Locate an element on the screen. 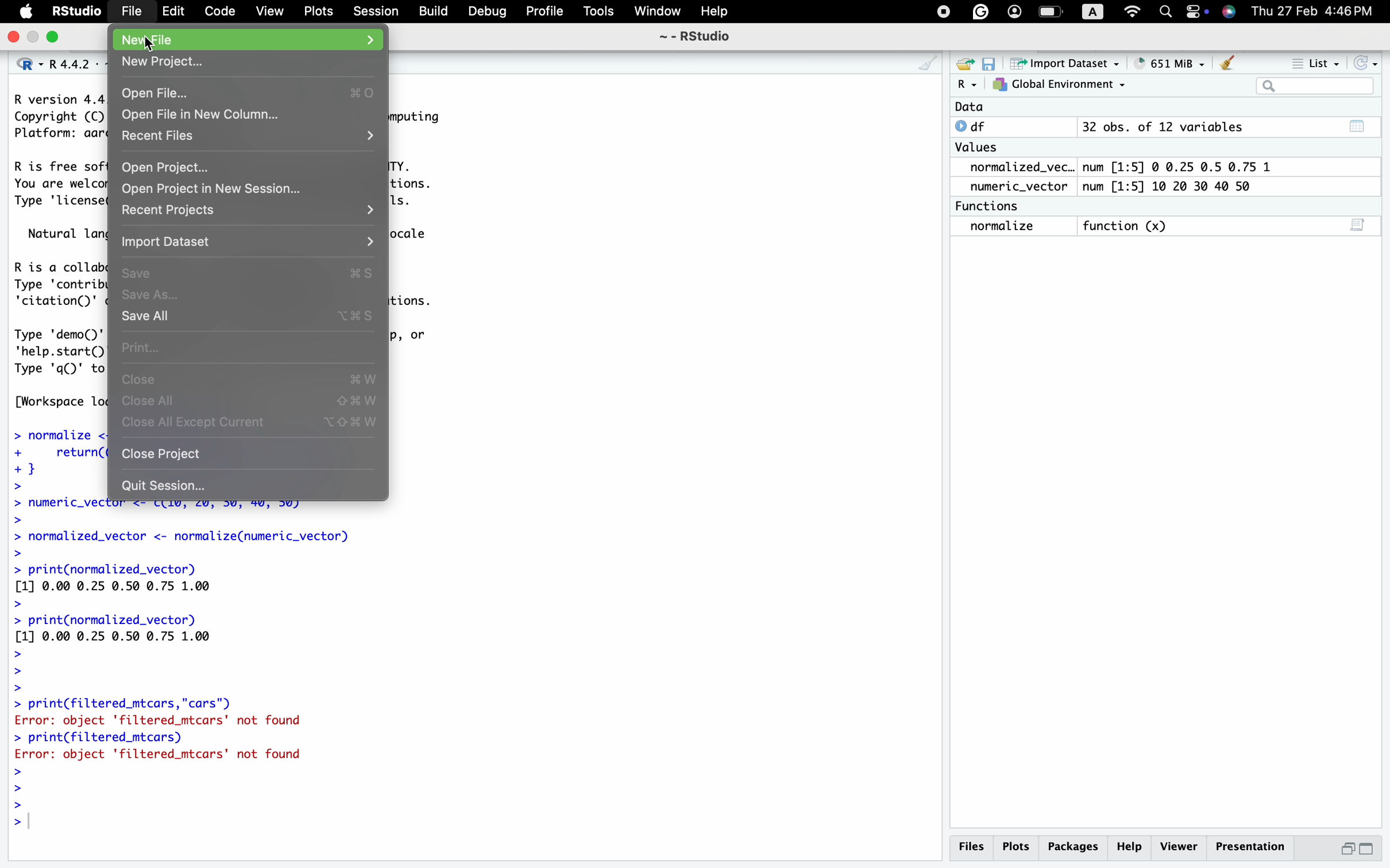  normalized_vec.. num [1:5] @ 0.25 0.5 0.75 1 is located at coordinates (1125, 166).